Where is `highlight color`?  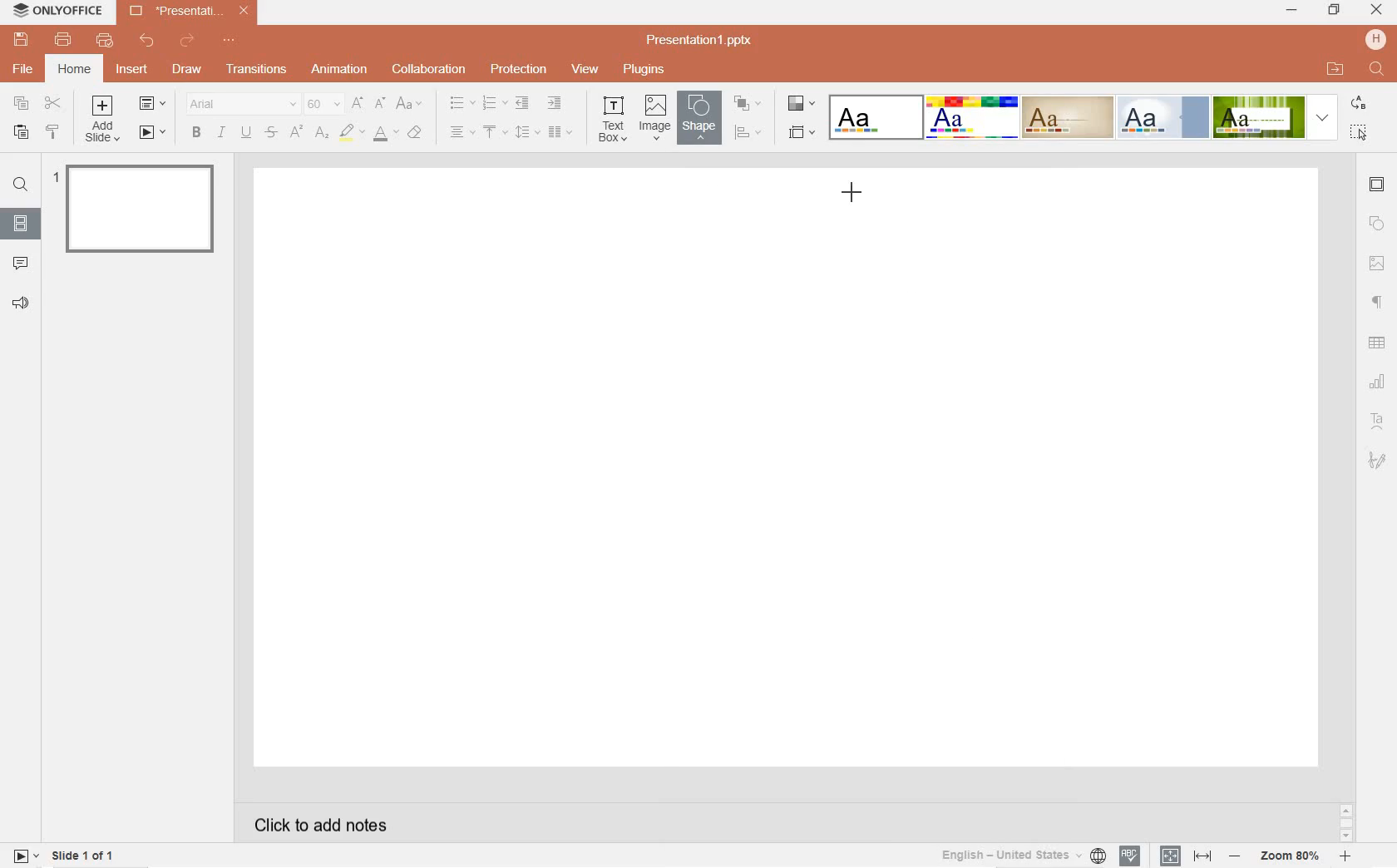
highlight color is located at coordinates (352, 133).